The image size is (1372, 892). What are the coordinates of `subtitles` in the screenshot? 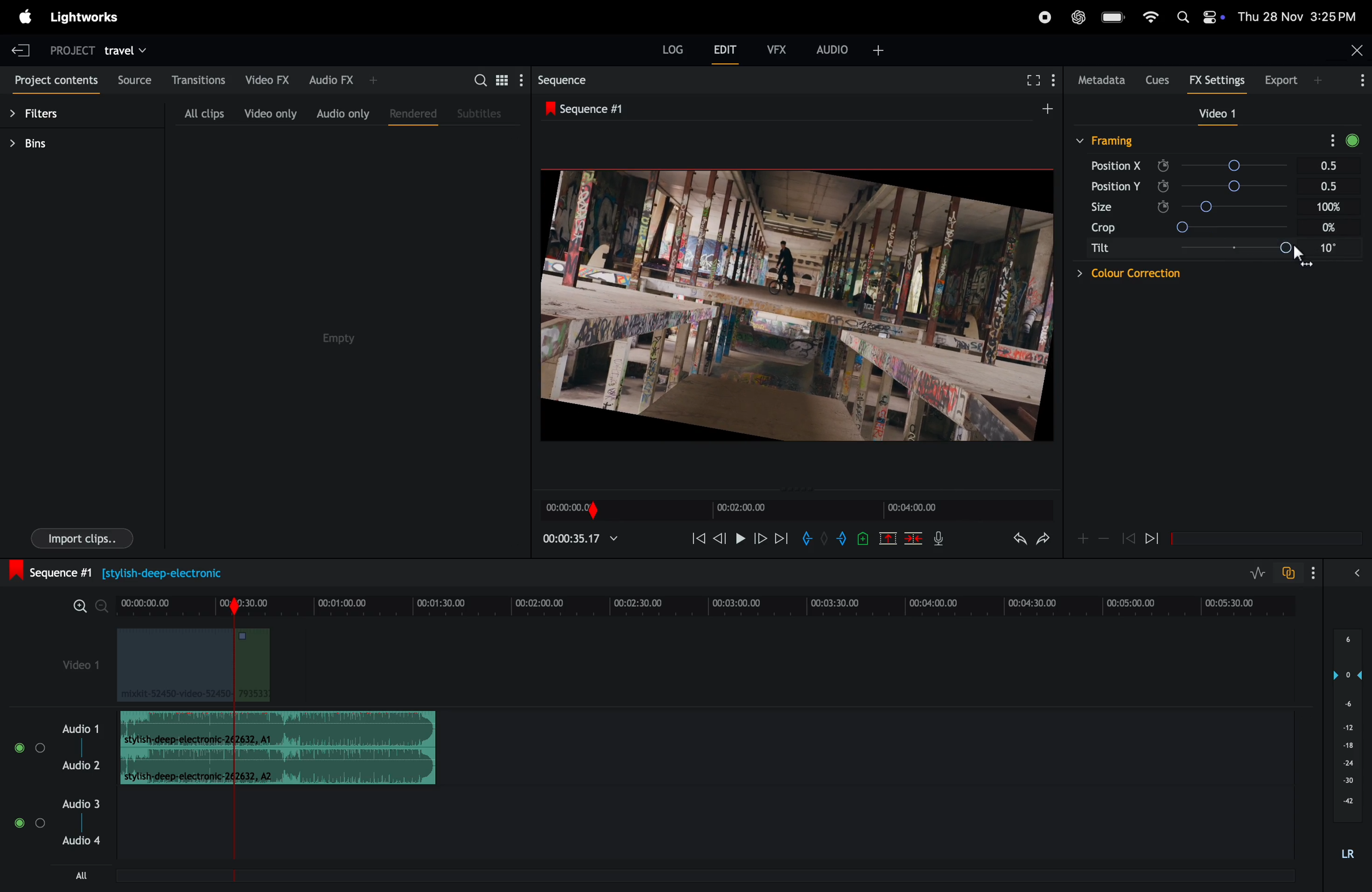 It's located at (483, 112).